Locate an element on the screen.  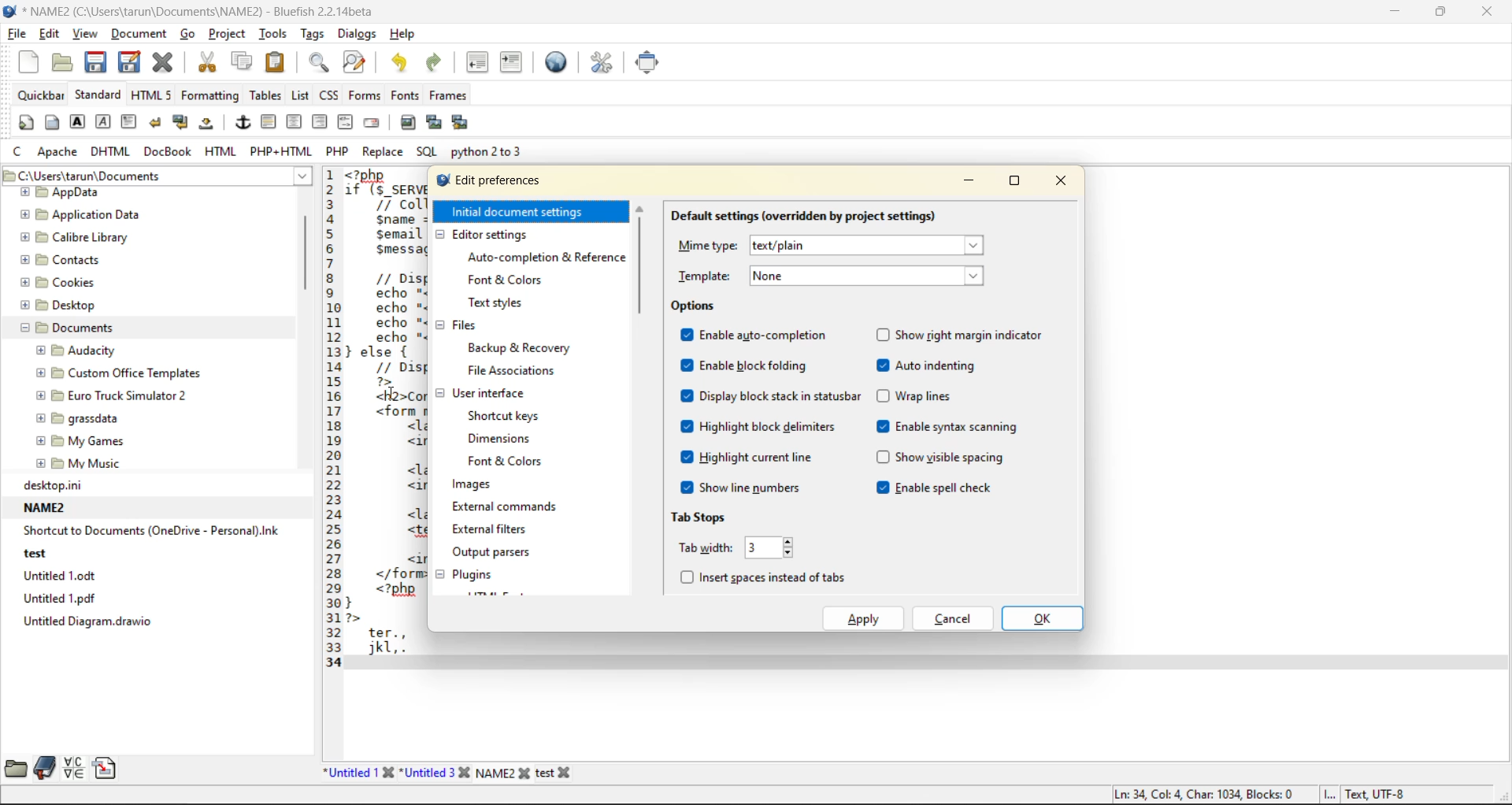
user interface is located at coordinates (494, 392).